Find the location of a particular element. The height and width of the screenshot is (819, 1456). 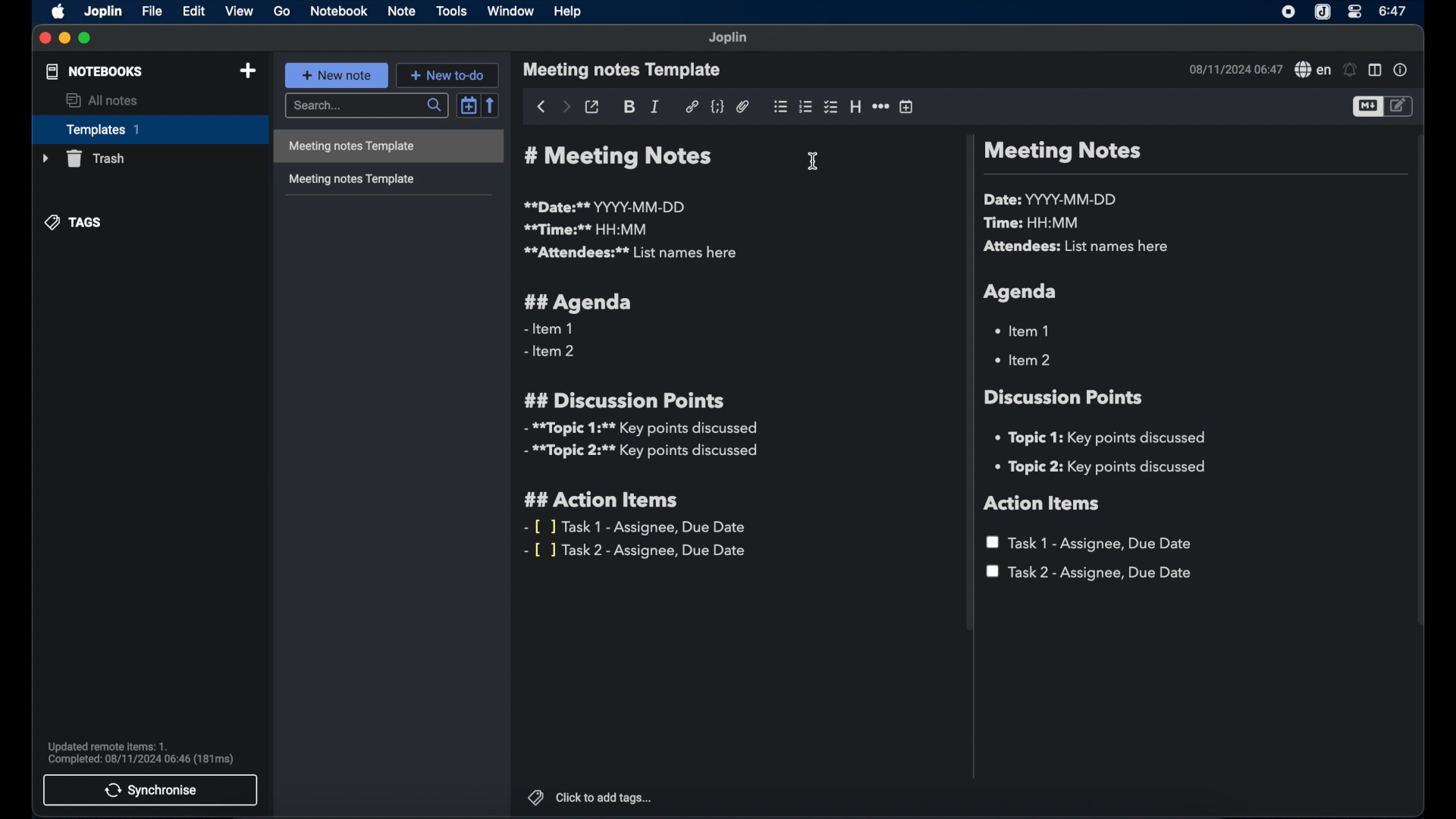

heading is located at coordinates (855, 108).